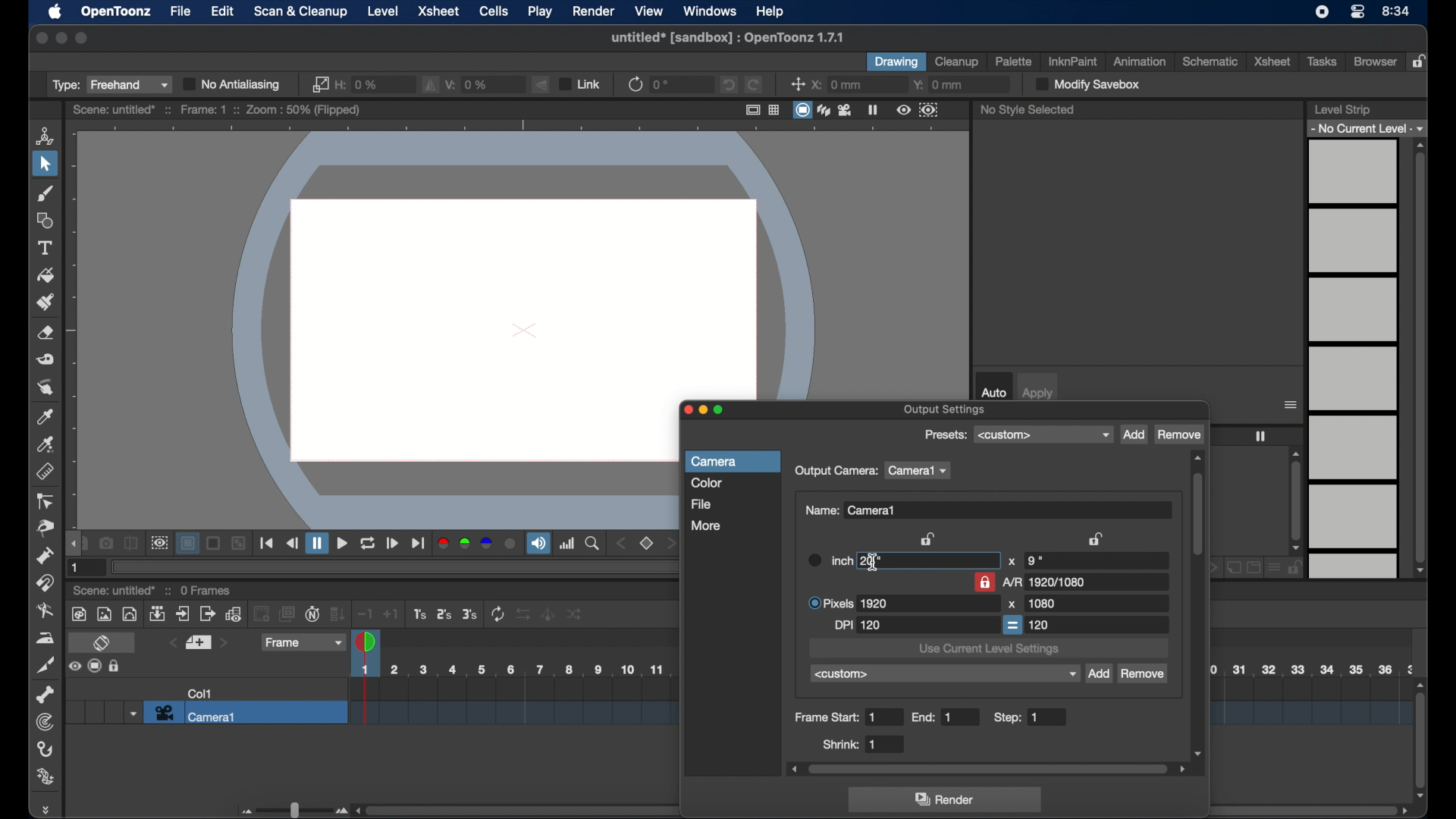 The image size is (1456, 819). What do you see at coordinates (988, 769) in the screenshot?
I see `scroll box` at bounding box center [988, 769].